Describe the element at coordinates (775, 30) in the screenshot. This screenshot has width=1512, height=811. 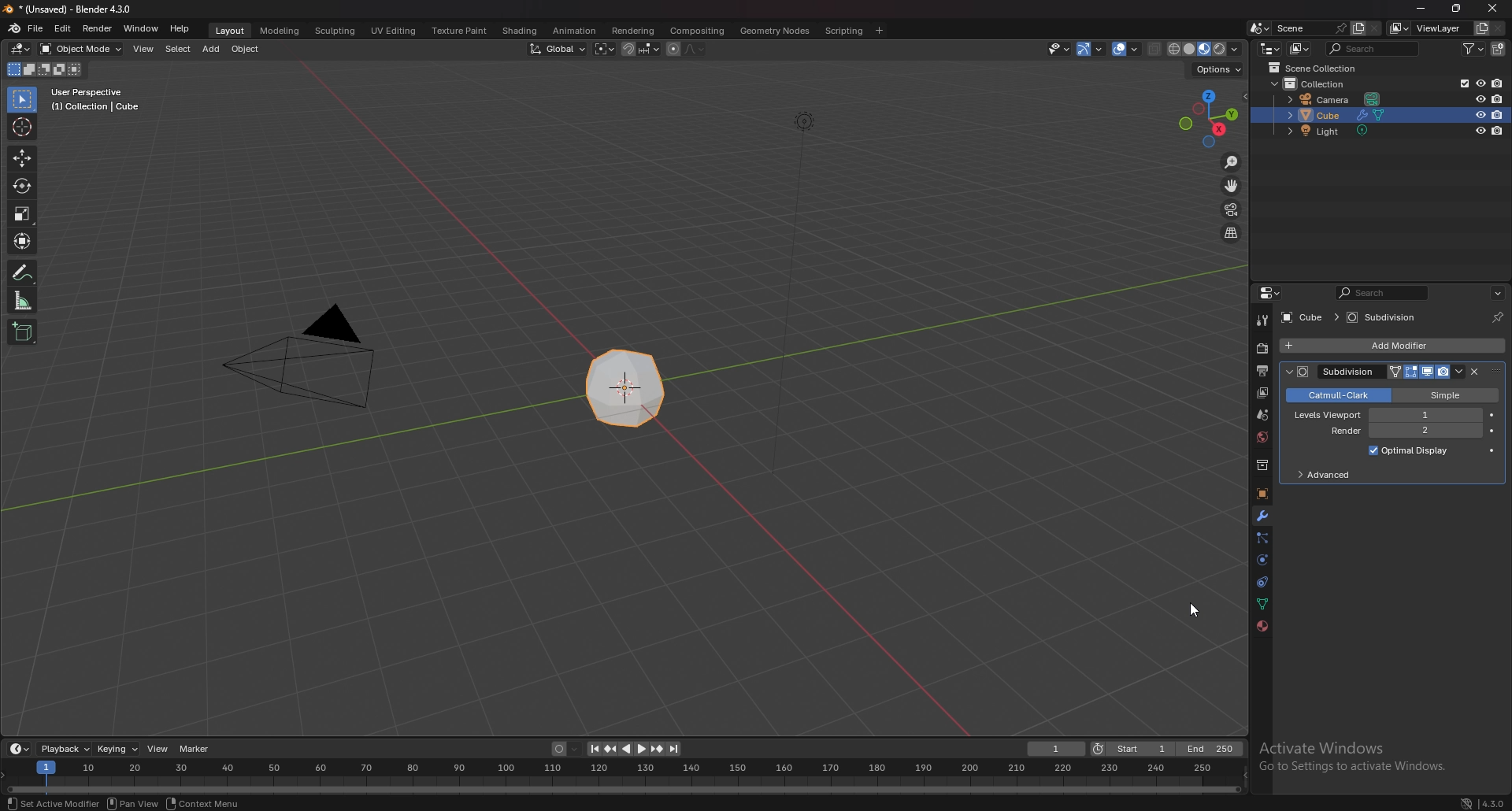
I see `geometry nodes` at that location.